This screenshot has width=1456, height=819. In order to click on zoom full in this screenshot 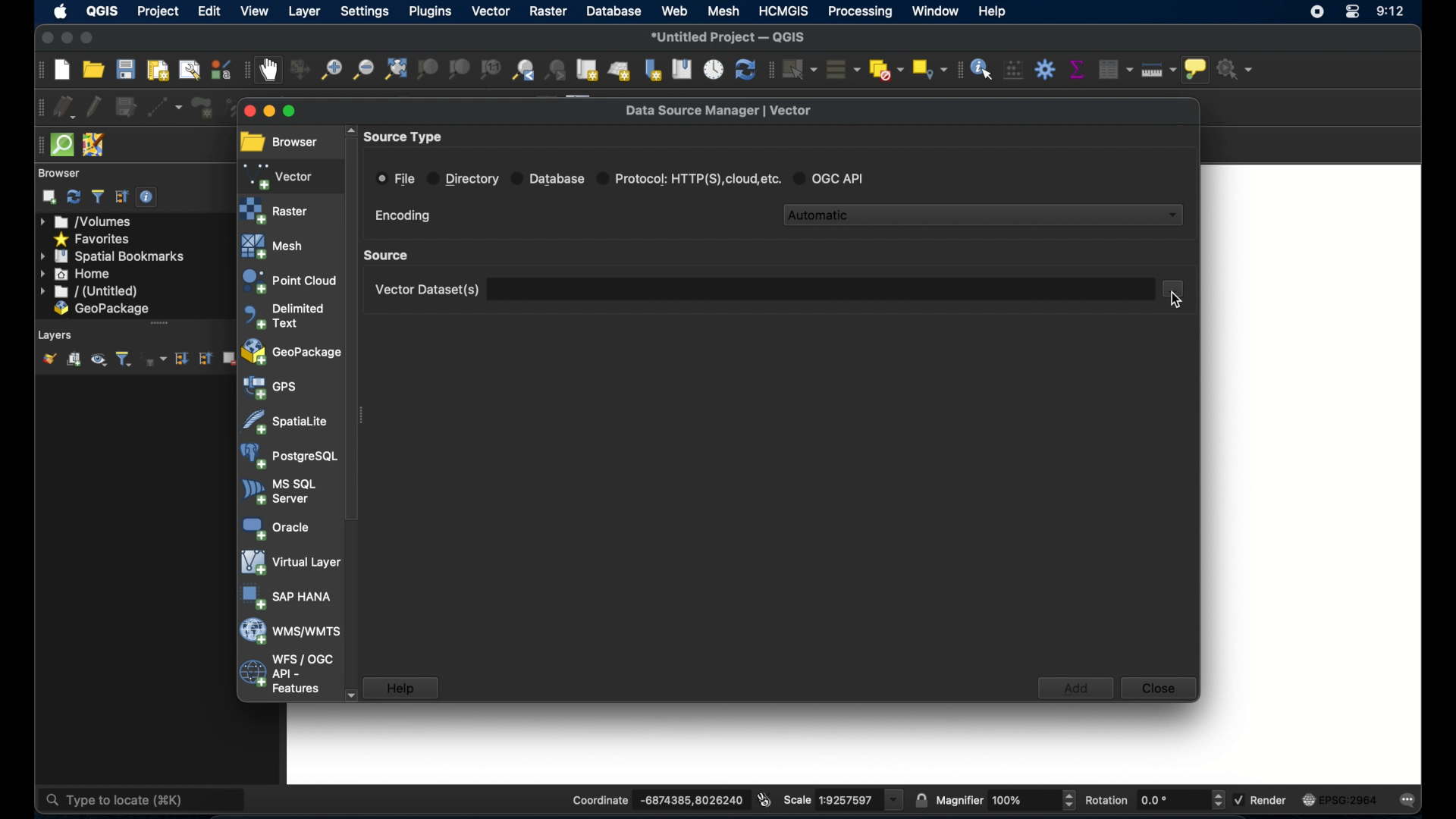, I will do `click(394, 70)`.